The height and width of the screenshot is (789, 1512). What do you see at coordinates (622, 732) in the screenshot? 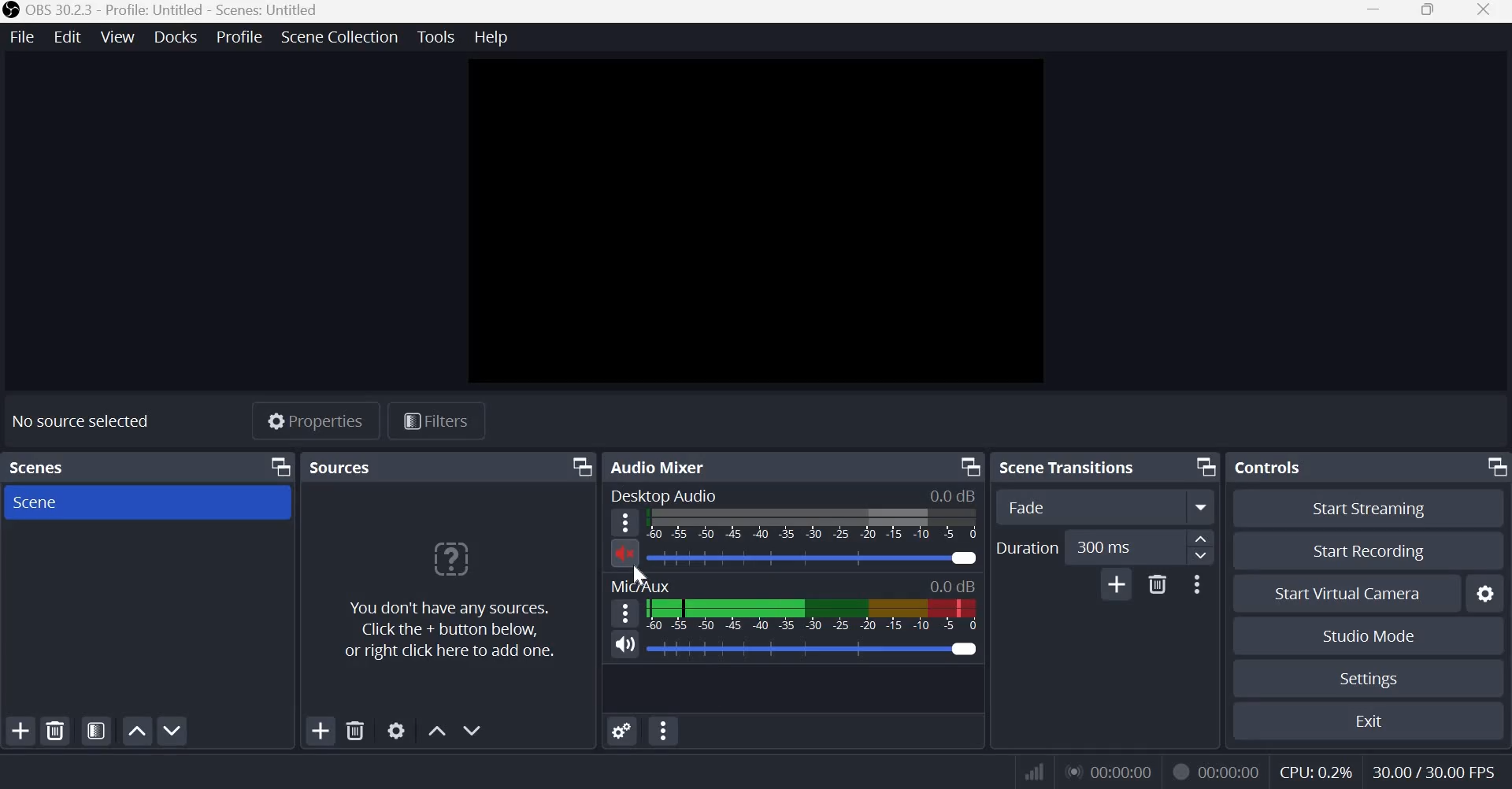
I see `Audio Mixer Menu` at bounding box center [622, 732].